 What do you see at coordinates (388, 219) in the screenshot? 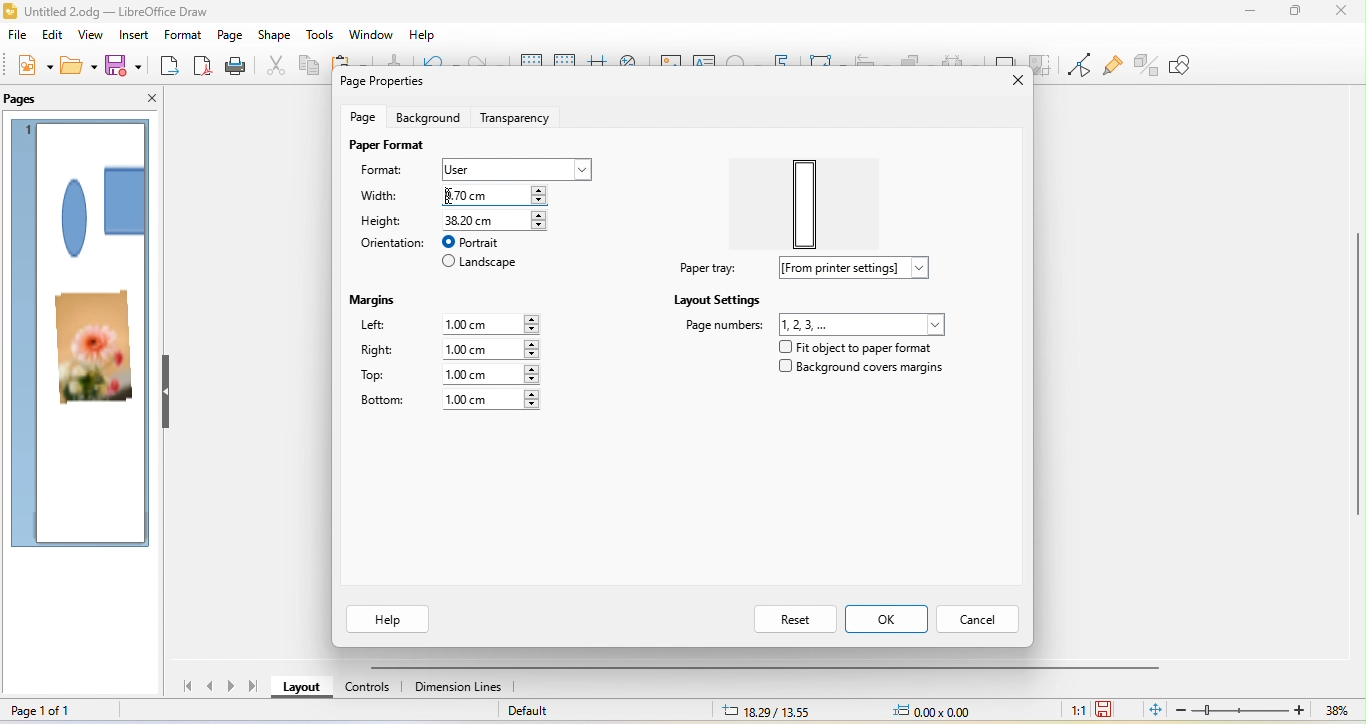
I see `height` at bounding box center [388, 219].